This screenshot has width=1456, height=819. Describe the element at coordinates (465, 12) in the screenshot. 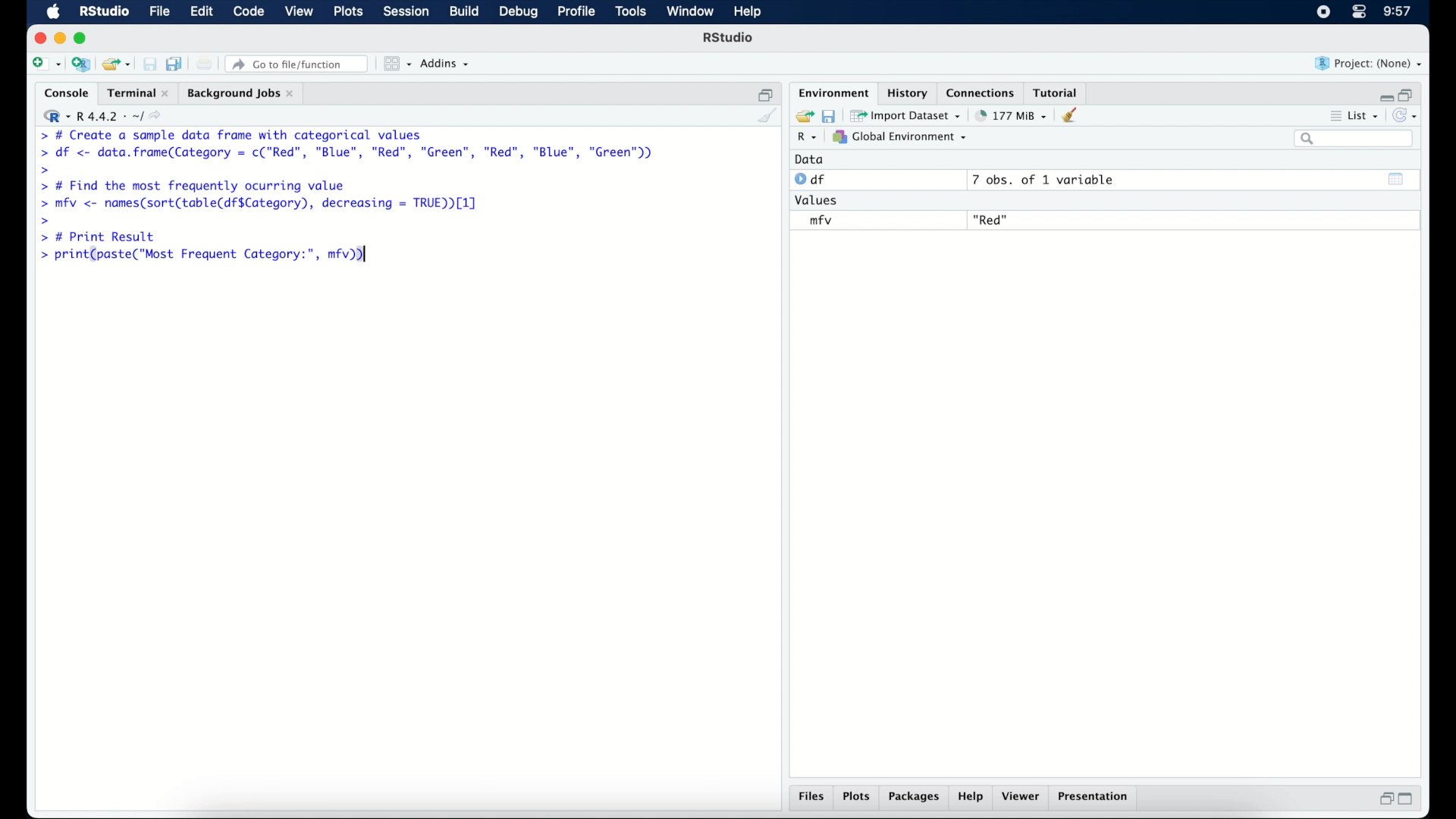

I see `build` at that location.